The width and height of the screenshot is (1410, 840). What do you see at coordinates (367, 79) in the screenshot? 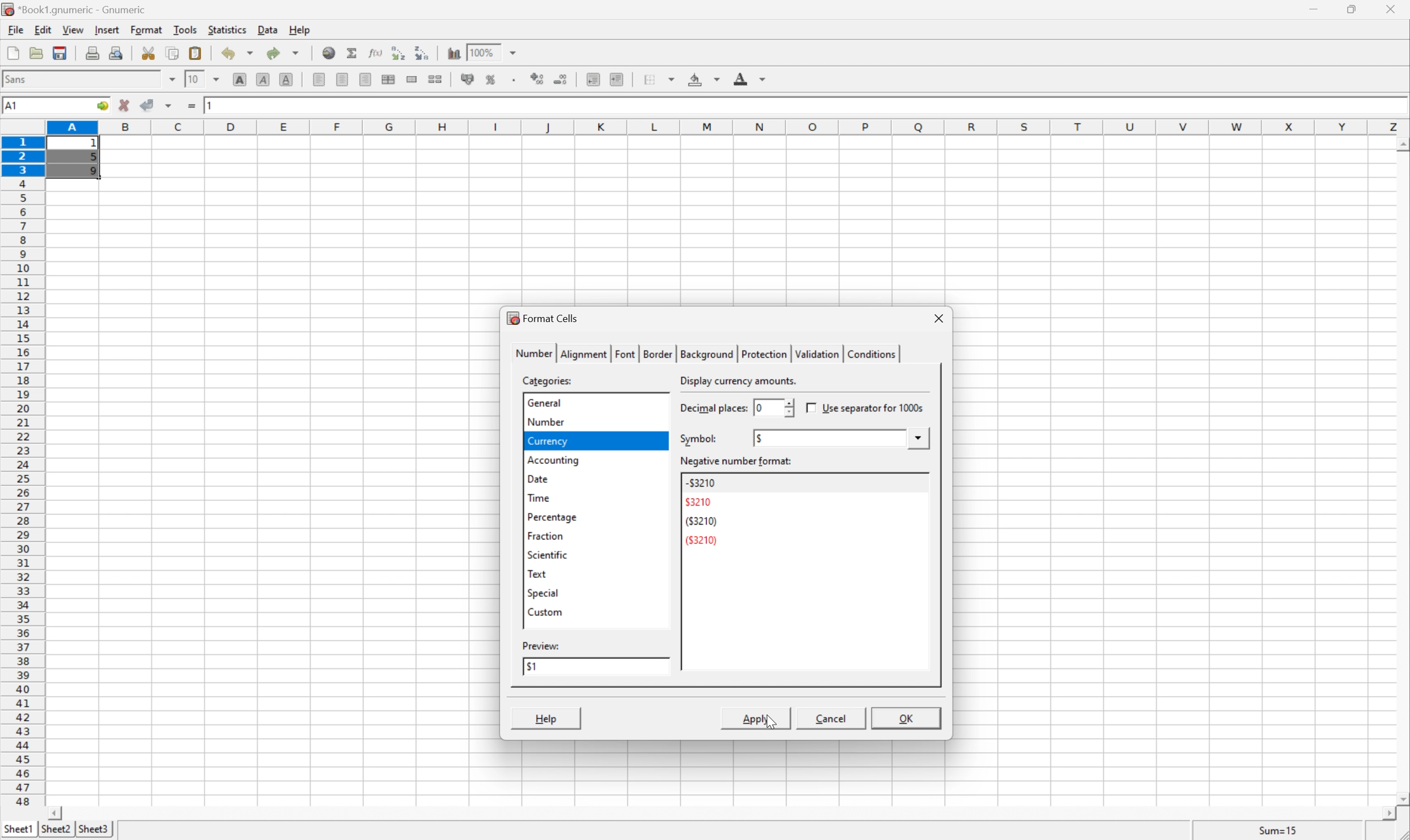
I see `align right` at bounding box center [367, 79].